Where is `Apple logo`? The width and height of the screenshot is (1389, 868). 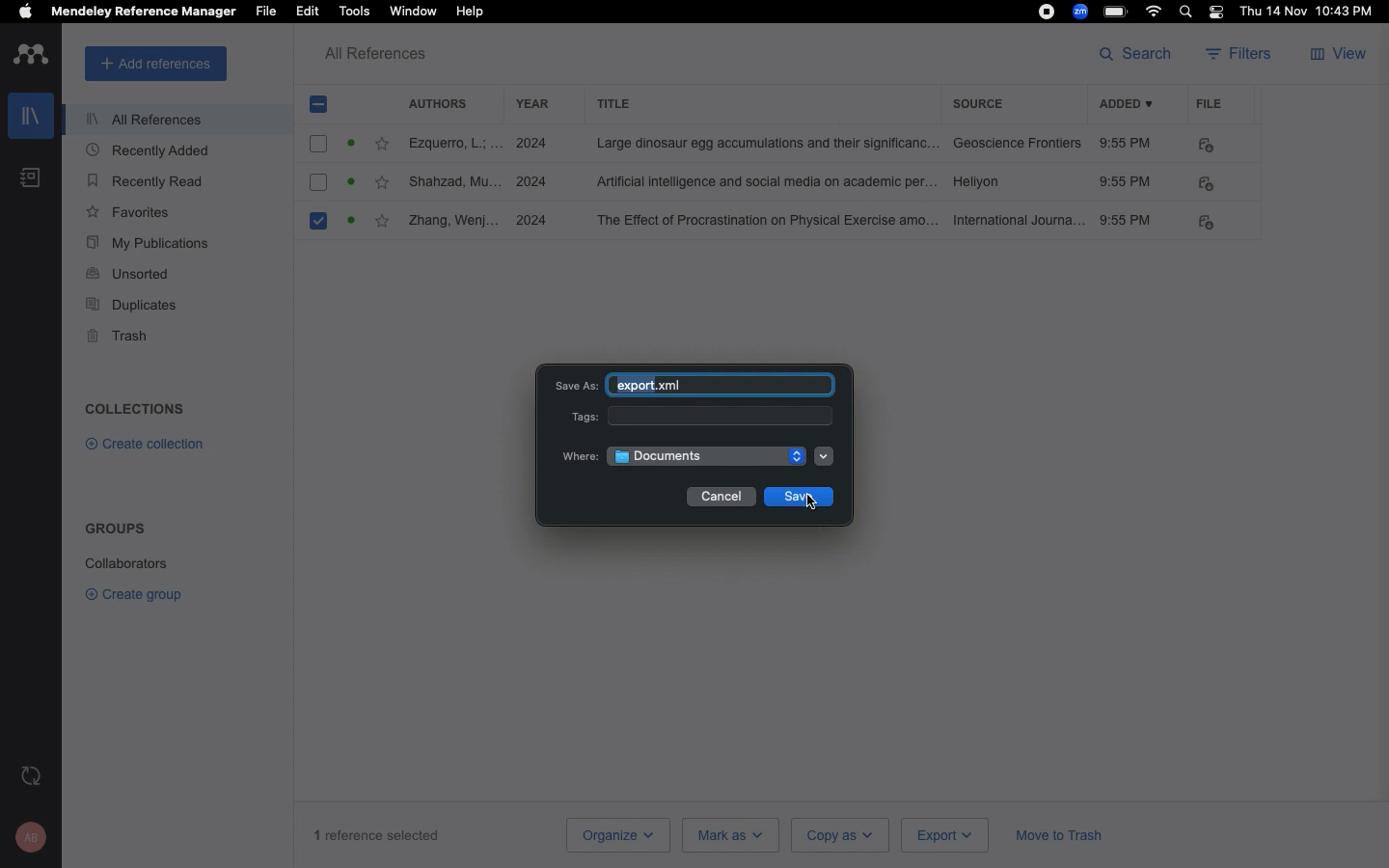 Apple logo is located at coordinates (25, 12).